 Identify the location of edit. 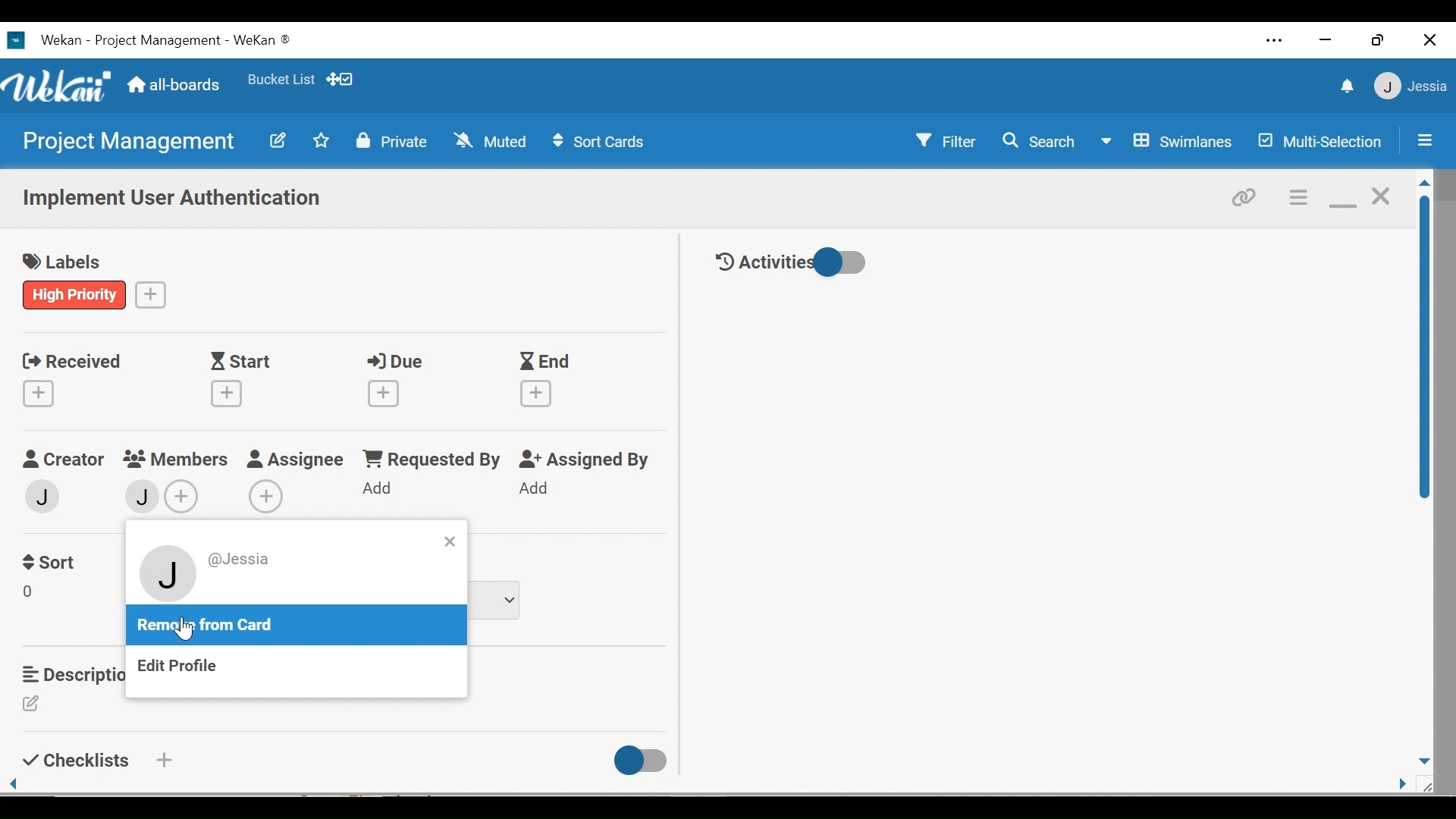
(31, 595).